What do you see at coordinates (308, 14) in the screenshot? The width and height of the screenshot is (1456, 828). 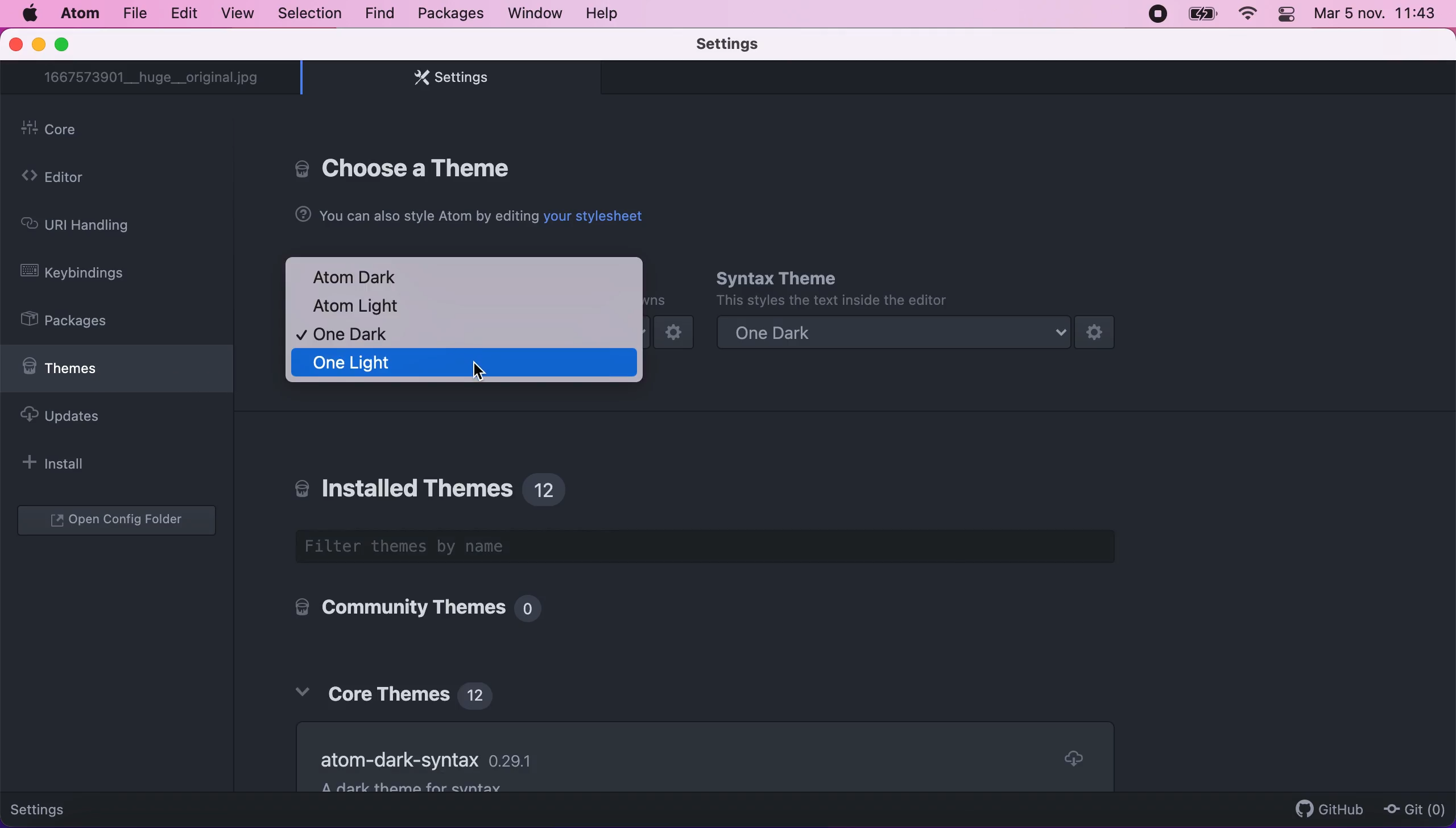 I see `selection` at bounding box center [308, 14].